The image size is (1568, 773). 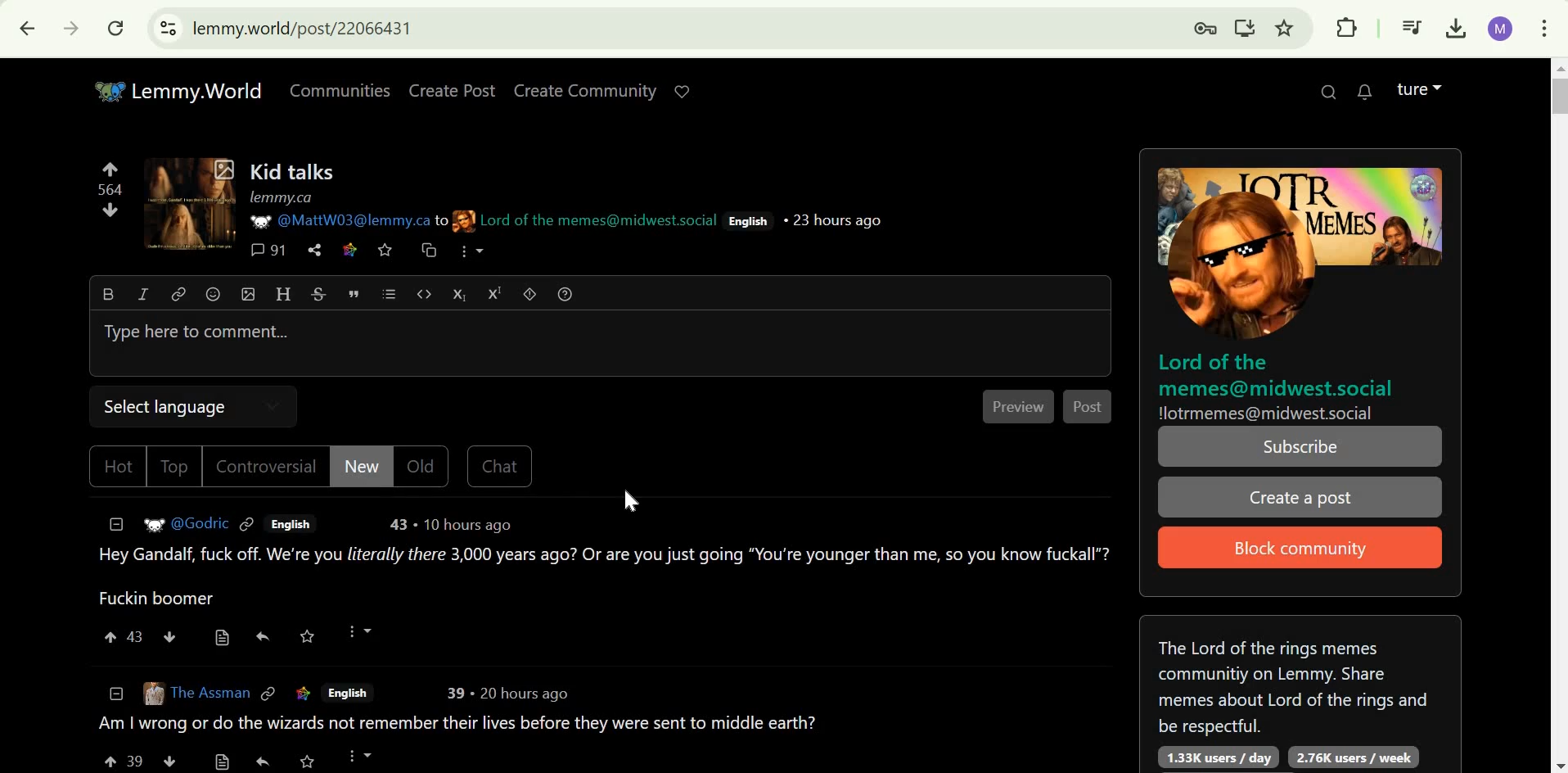 I want to click on 43, so click(x=403, y=524).